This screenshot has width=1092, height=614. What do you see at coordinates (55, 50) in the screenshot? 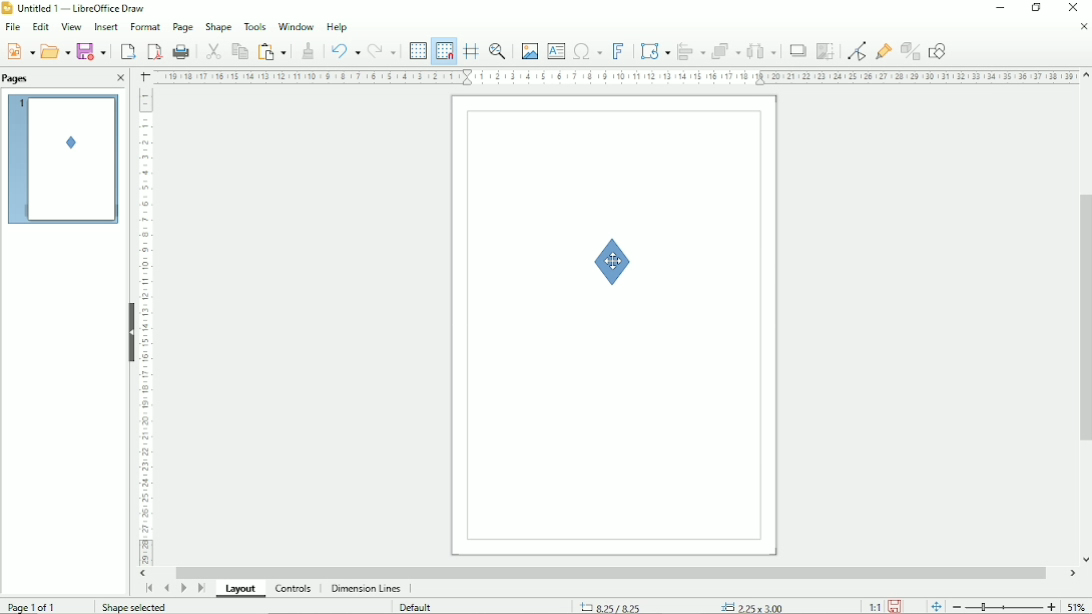
I see `Open` at bounding box center [55, 50].